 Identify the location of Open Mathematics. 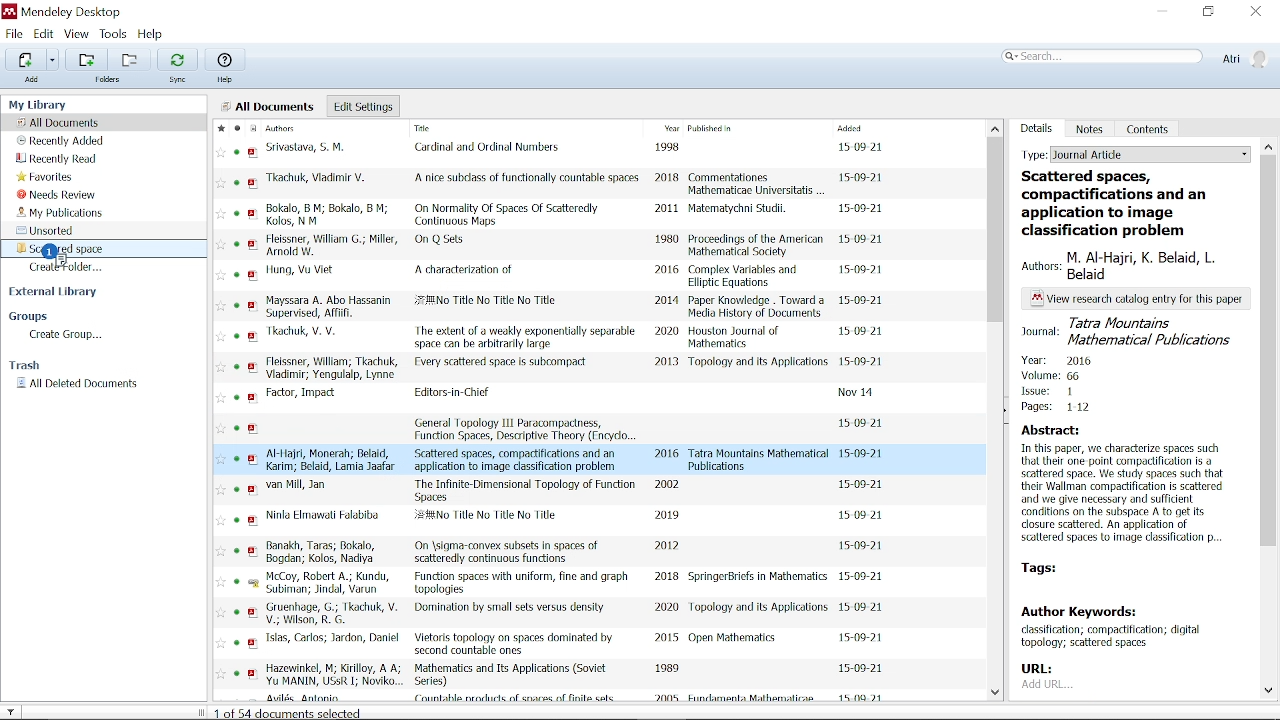
(736, 639).